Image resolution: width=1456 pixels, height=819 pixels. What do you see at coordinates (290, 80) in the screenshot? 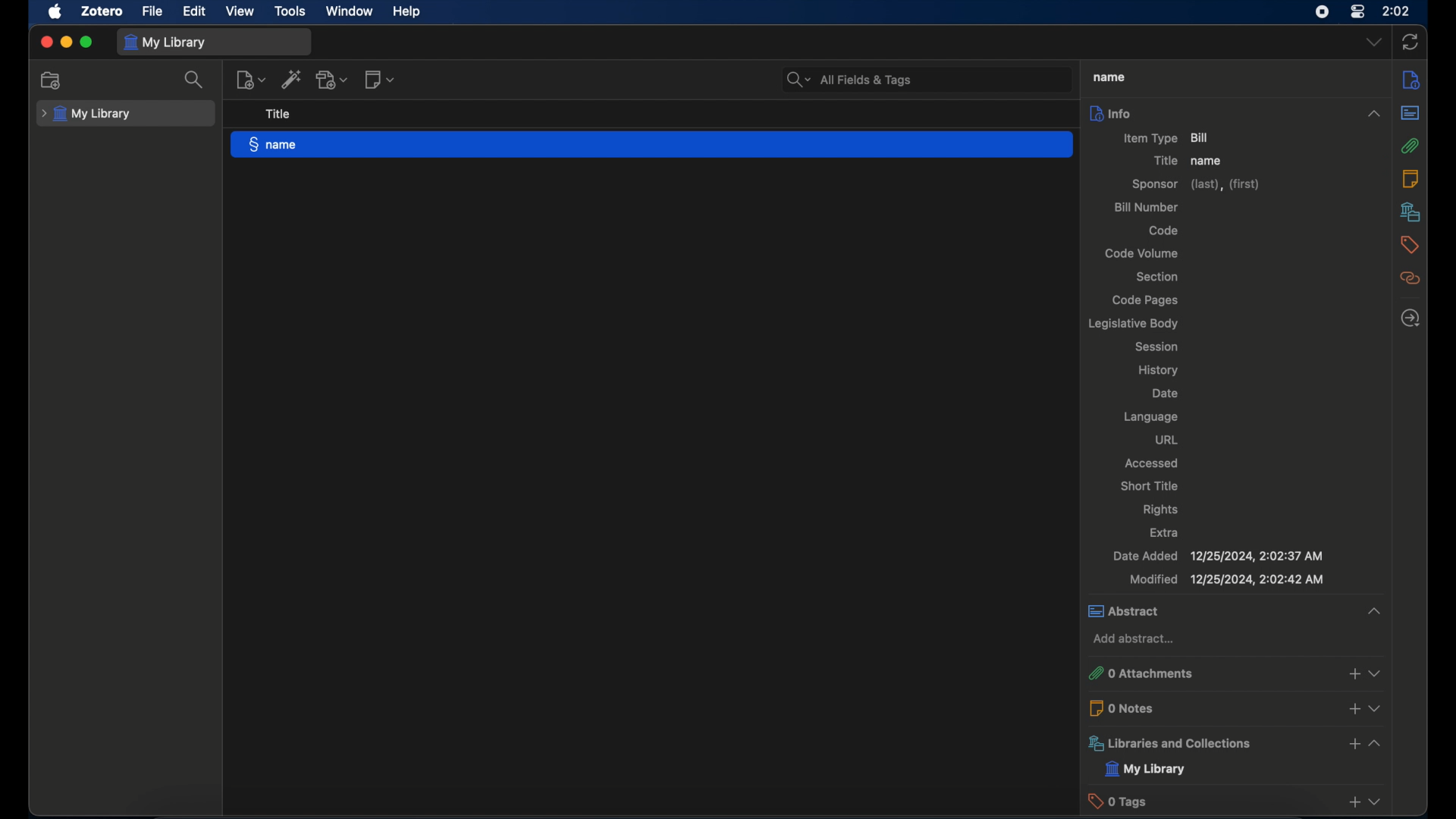
I see `add item by identifier` at bounding box center [290, 80].